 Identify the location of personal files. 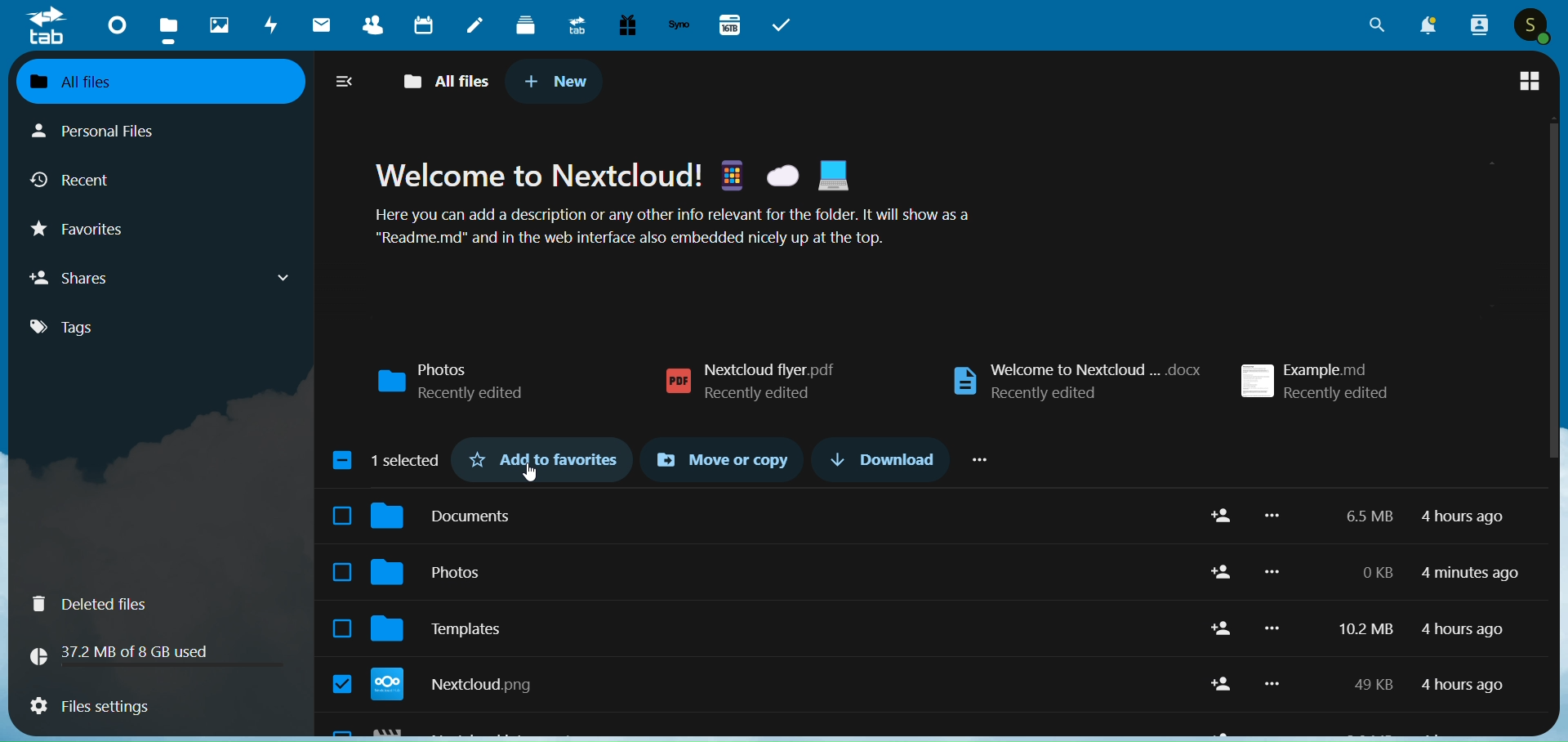
(111, 133).